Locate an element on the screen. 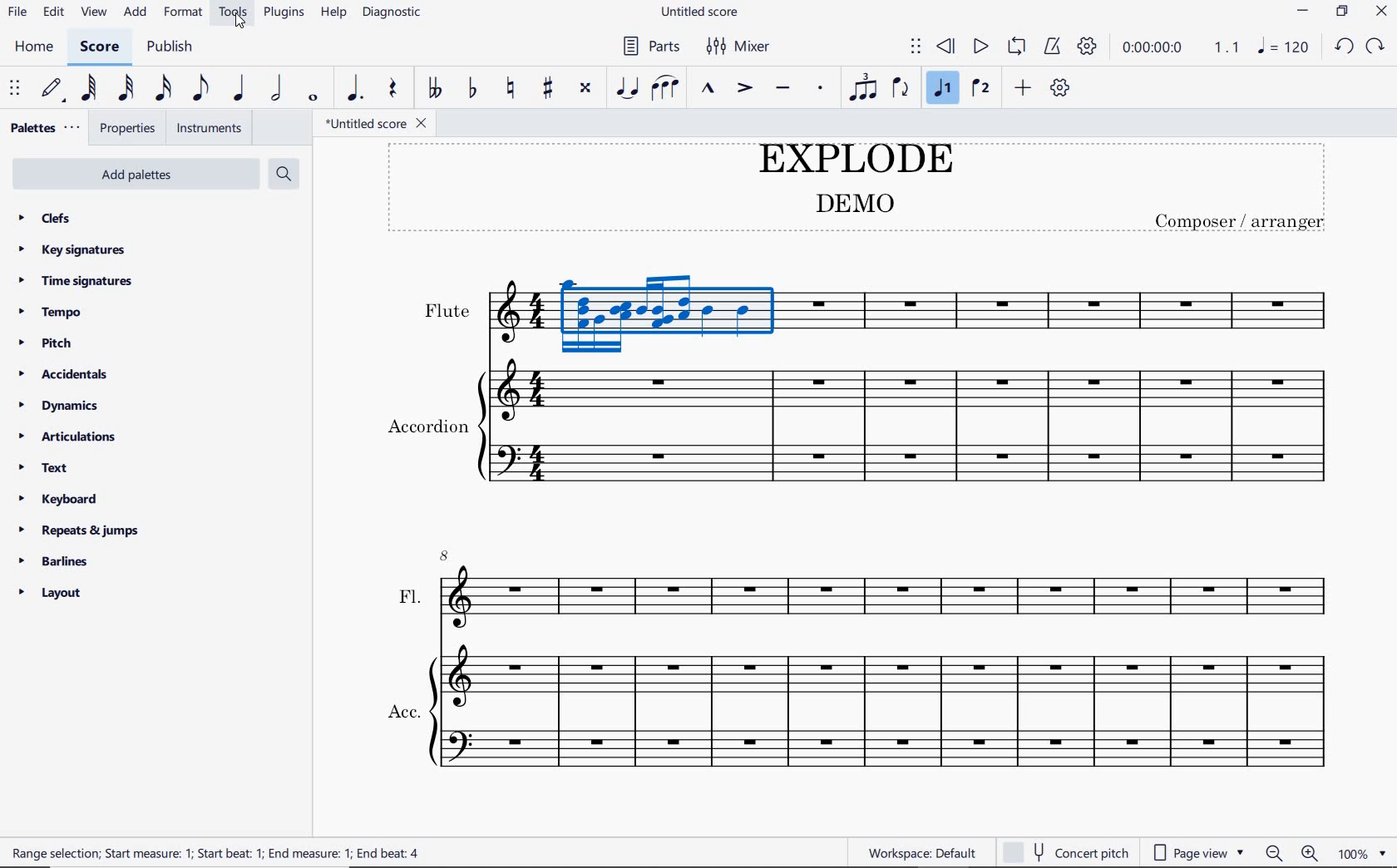 The image size is (1397, 868). 32nd note is located at coordinates (126, 90).